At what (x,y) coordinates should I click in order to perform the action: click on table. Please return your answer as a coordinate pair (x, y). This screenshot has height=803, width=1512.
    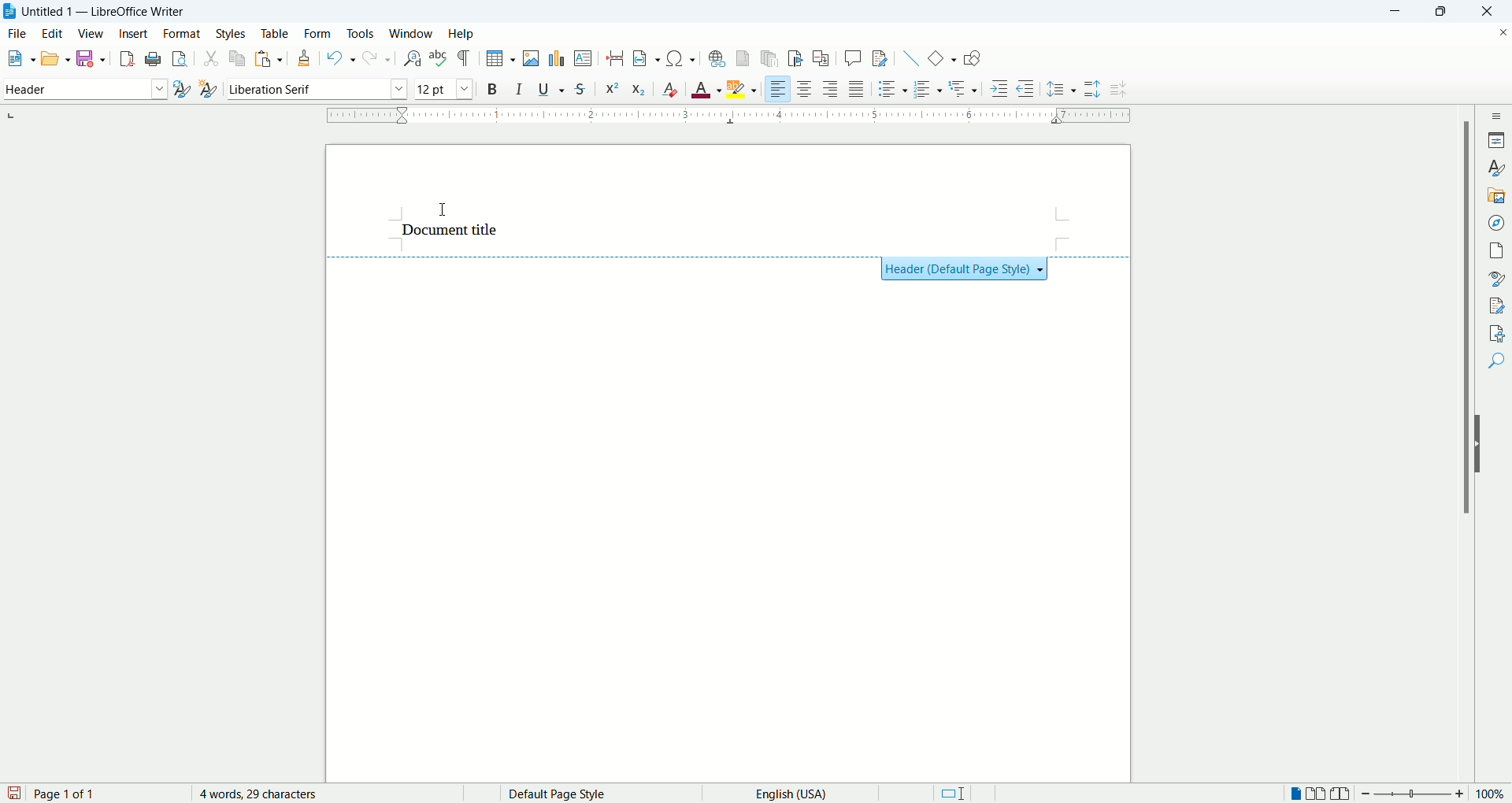
    Looking at the image, I should click on (274, 32).